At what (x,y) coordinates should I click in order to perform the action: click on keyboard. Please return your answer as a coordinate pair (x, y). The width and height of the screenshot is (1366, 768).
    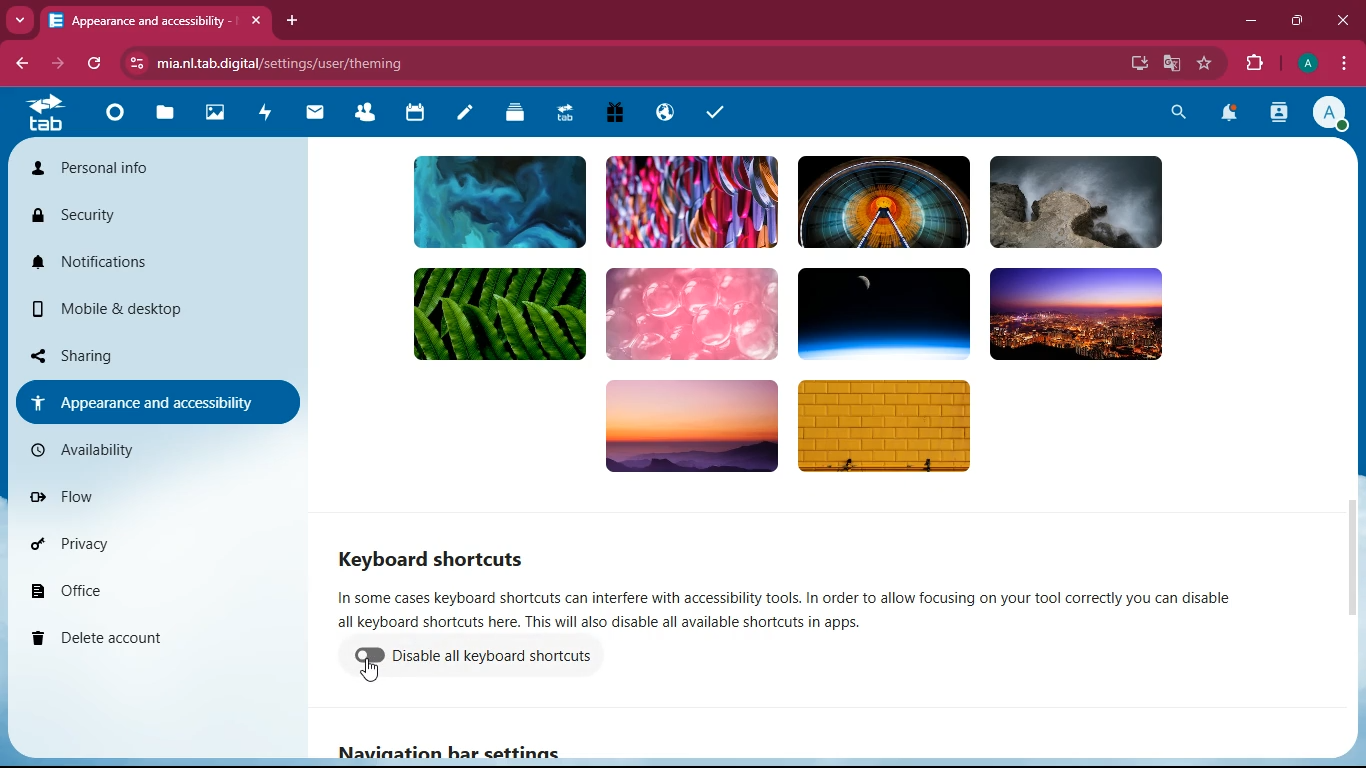
    Looking at the image, I should click on (437, 555).